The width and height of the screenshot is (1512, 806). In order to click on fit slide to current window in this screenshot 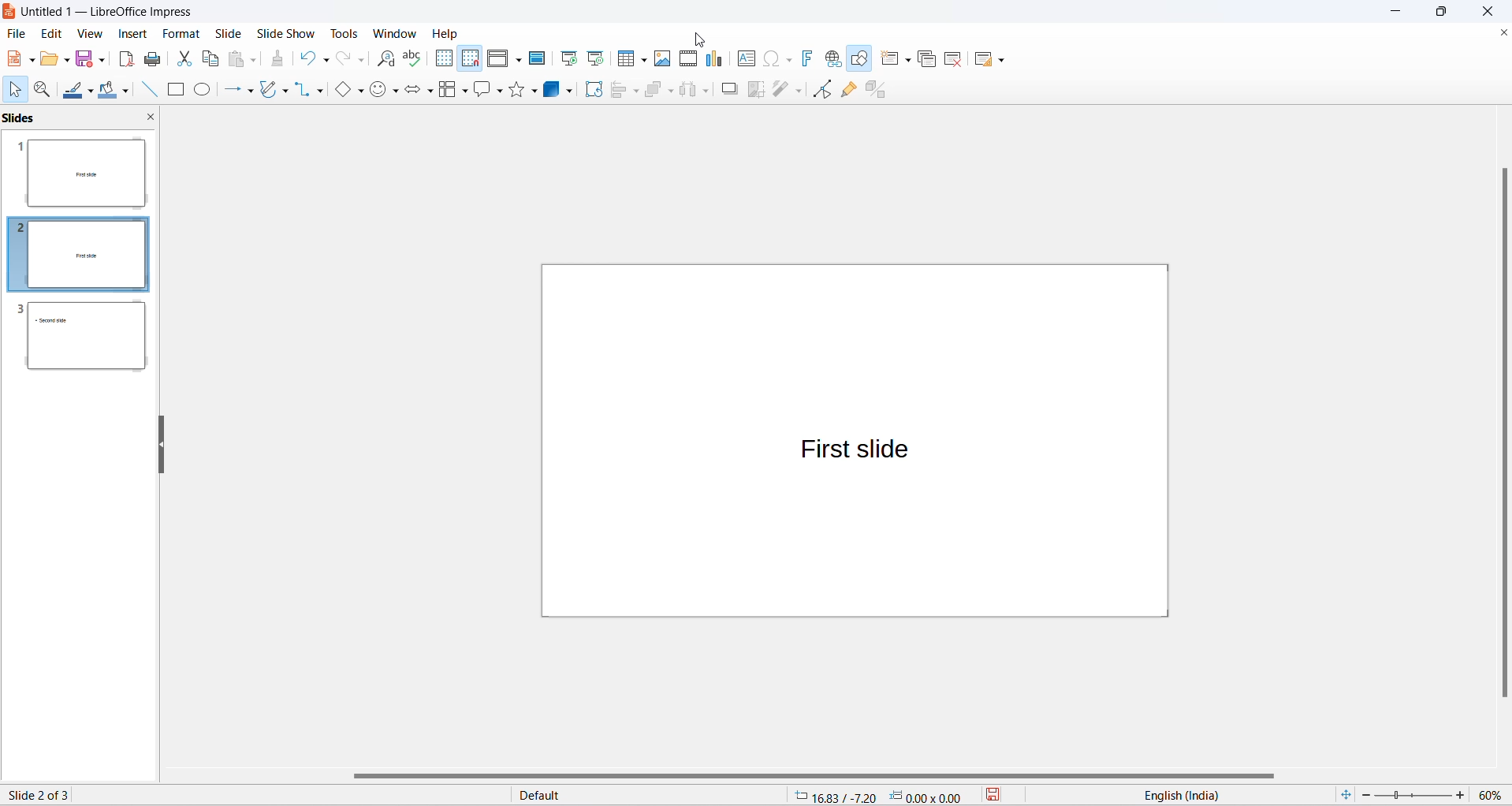, I will do `click(1344, 794)`.